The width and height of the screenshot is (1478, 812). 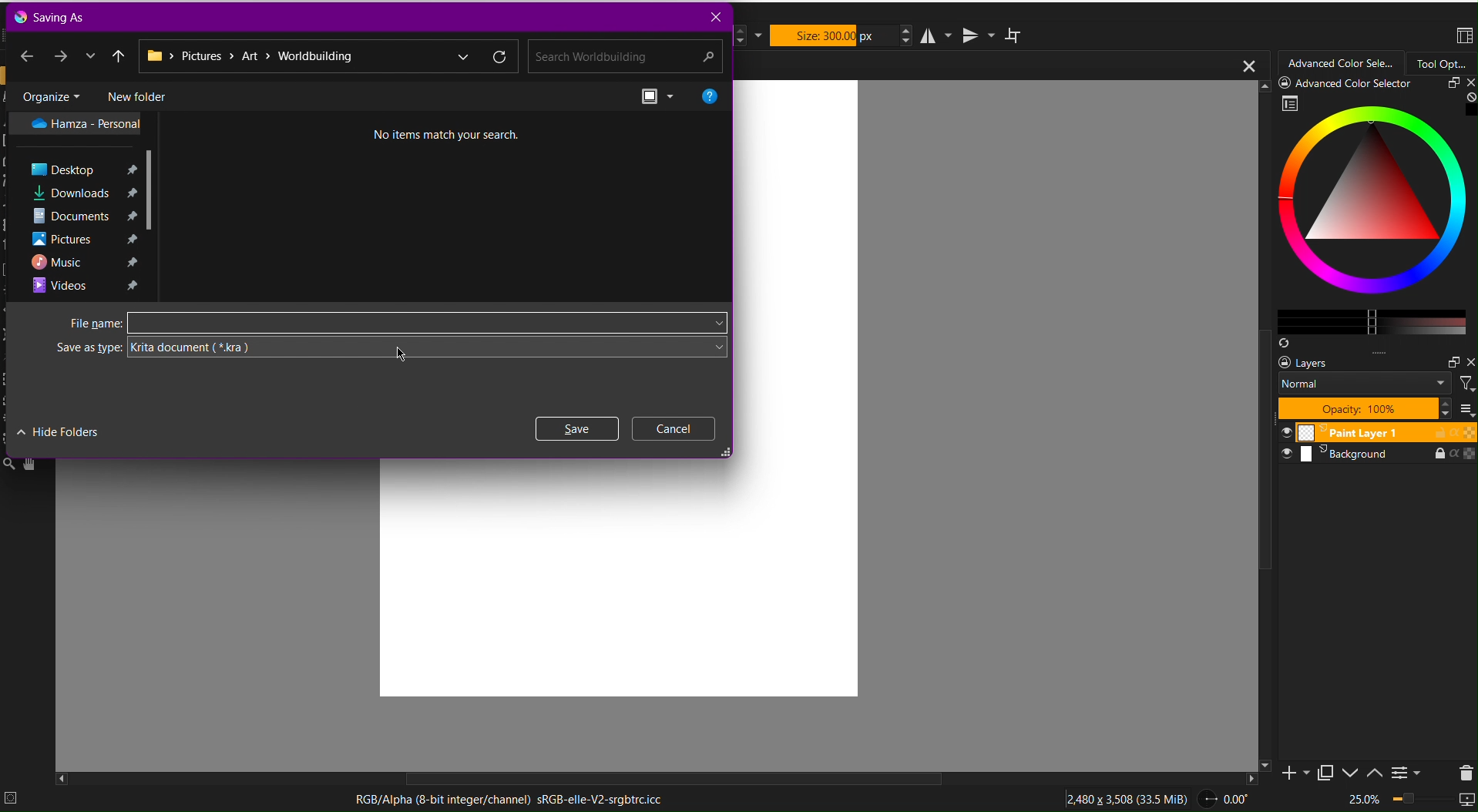 What do you see at coordinates (435, 133) in the screenshot?
I see `No items match your search` at bounding box center [435, 133].